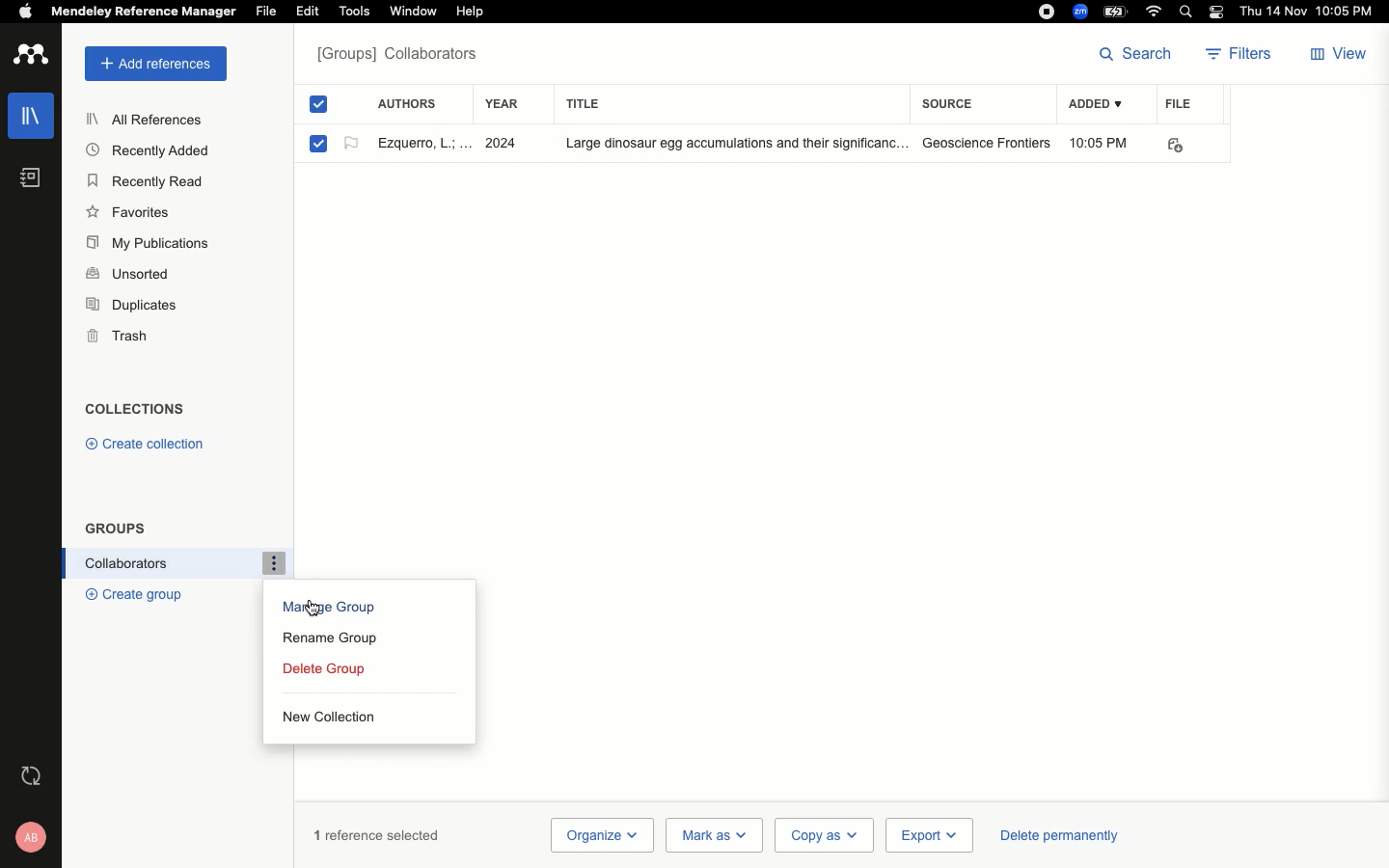 The height and width of the screenshot is (868, 1389). What do you see at coordinates (1081, 12) in the screenshot?
I see `Zoom` at bounding box center [1081, 12].